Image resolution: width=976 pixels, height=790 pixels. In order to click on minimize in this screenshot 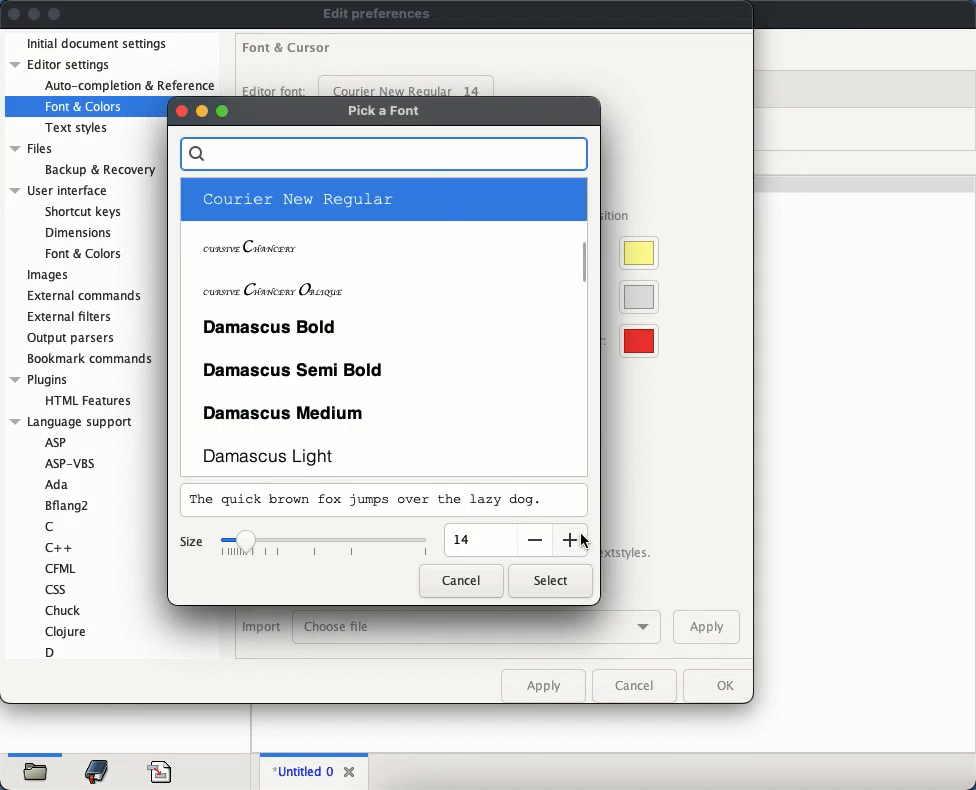, I will do `click(35, 14)`.